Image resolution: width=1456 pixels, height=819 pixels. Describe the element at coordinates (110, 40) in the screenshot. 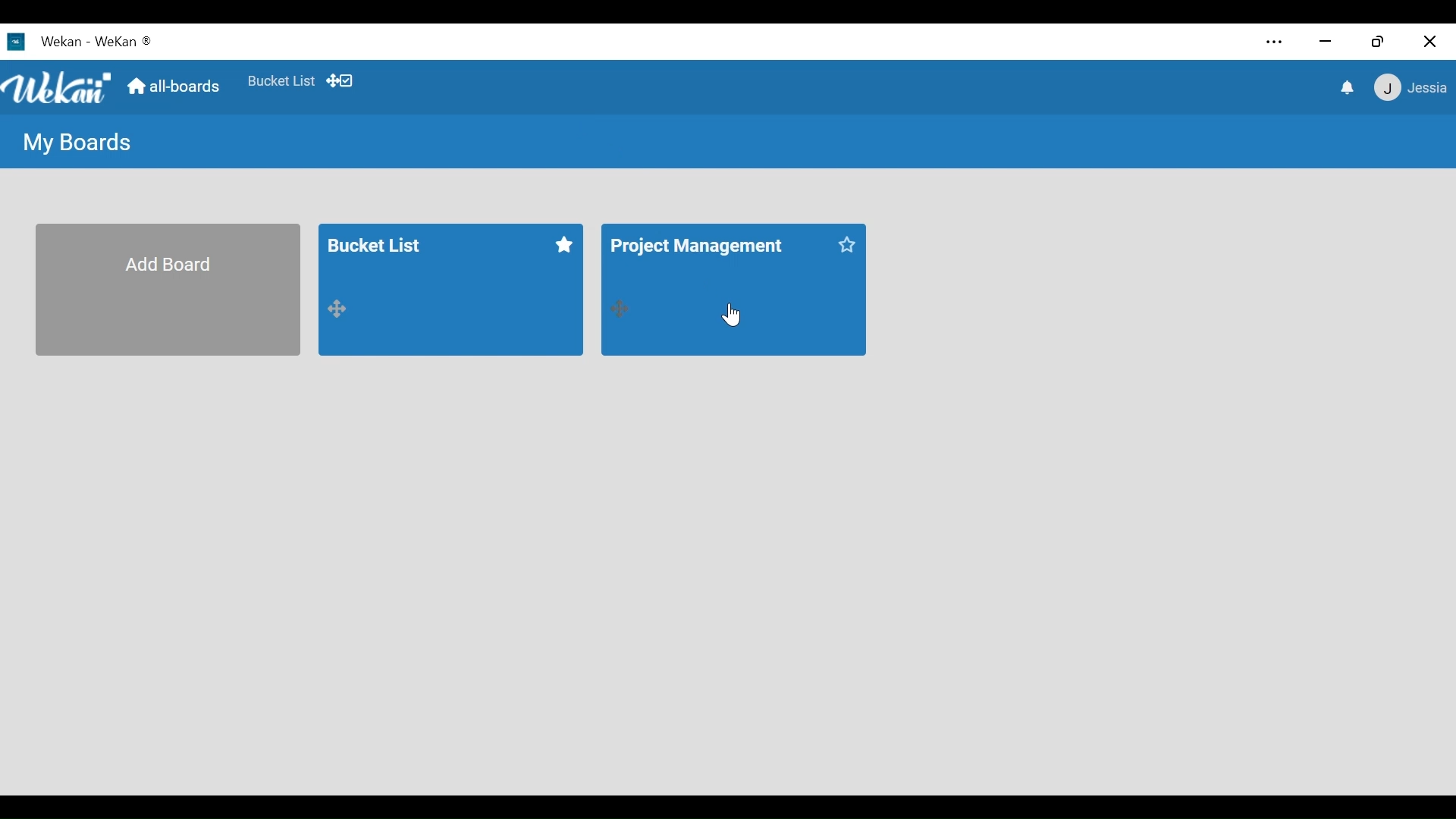

I see `wekan - wekan` at that location.